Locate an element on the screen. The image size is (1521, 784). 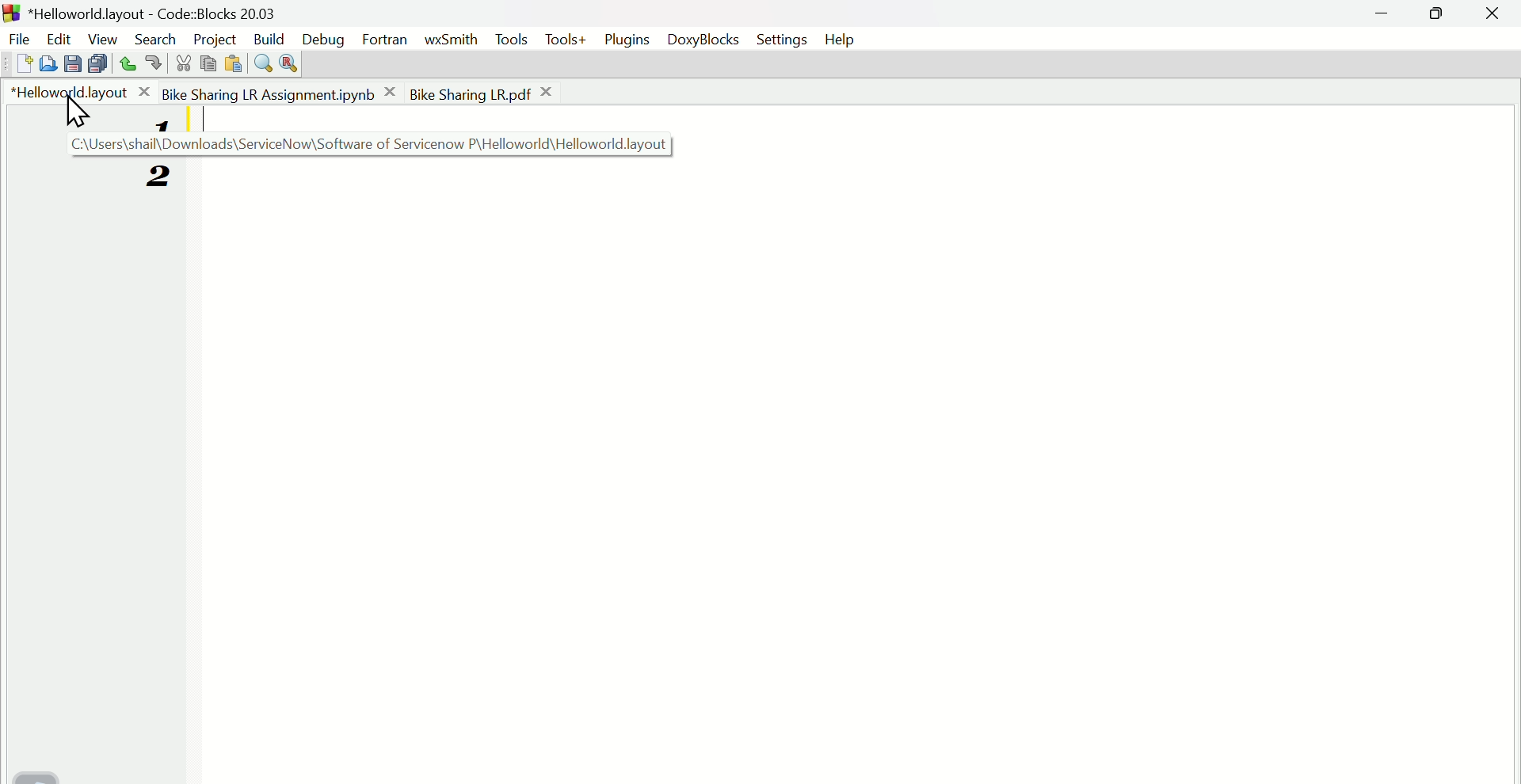
Bike share Lr.Pdf is located at coordinates (483, 93).